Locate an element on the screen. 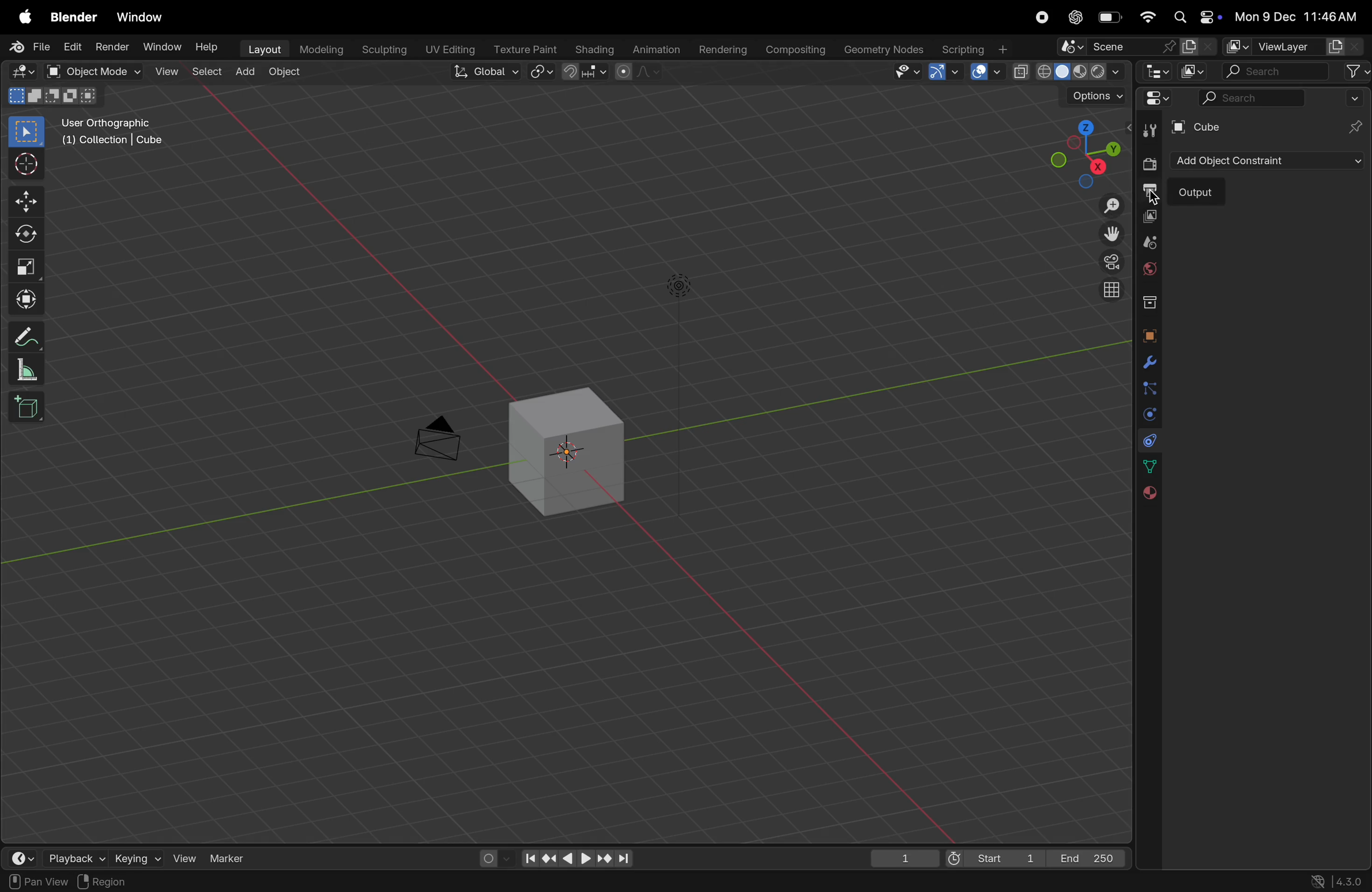 This screenshot has height=892, width=1372. trasform is located at coordinates (26, 298).